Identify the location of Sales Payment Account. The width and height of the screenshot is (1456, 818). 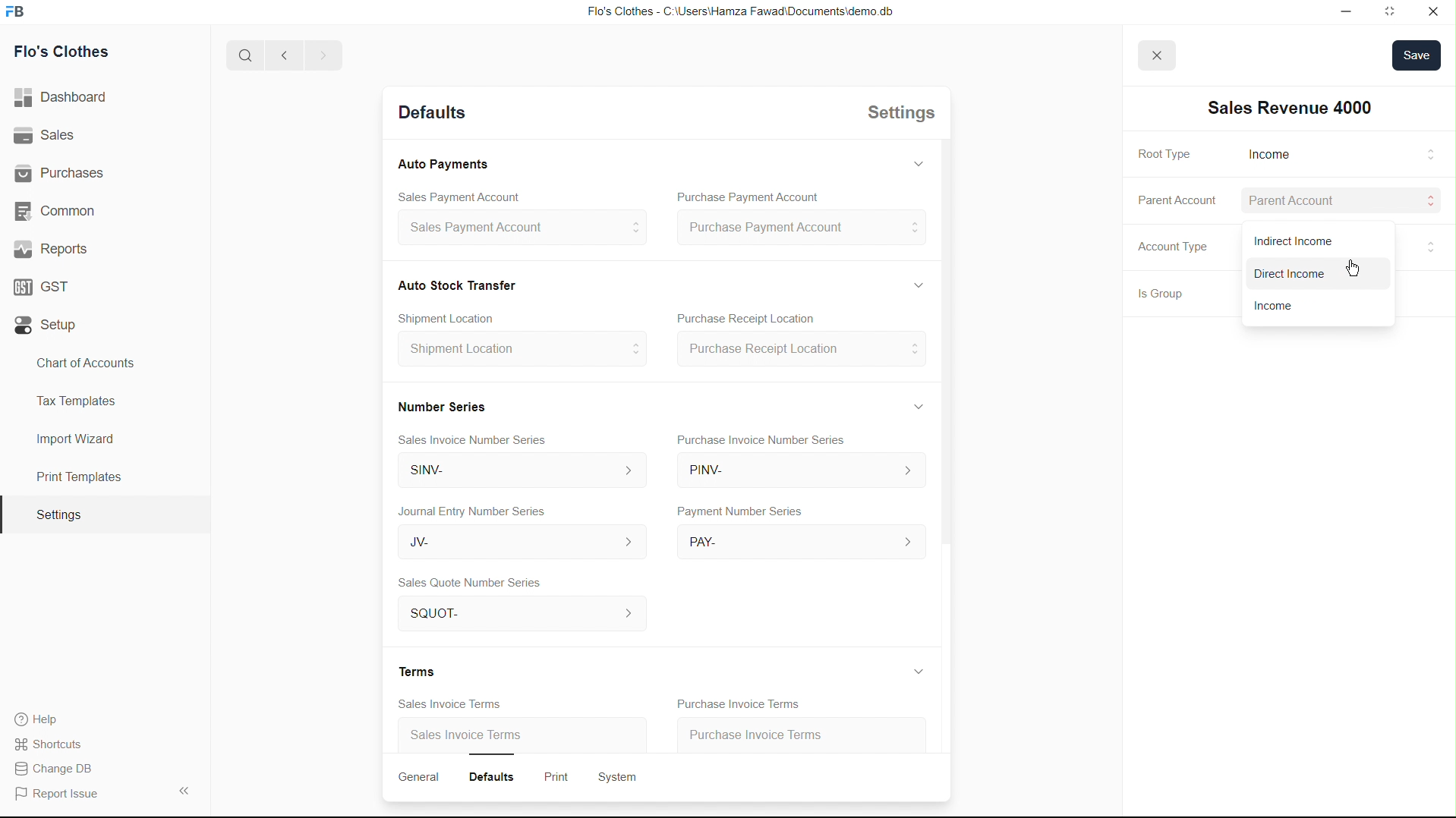
(450, 195).